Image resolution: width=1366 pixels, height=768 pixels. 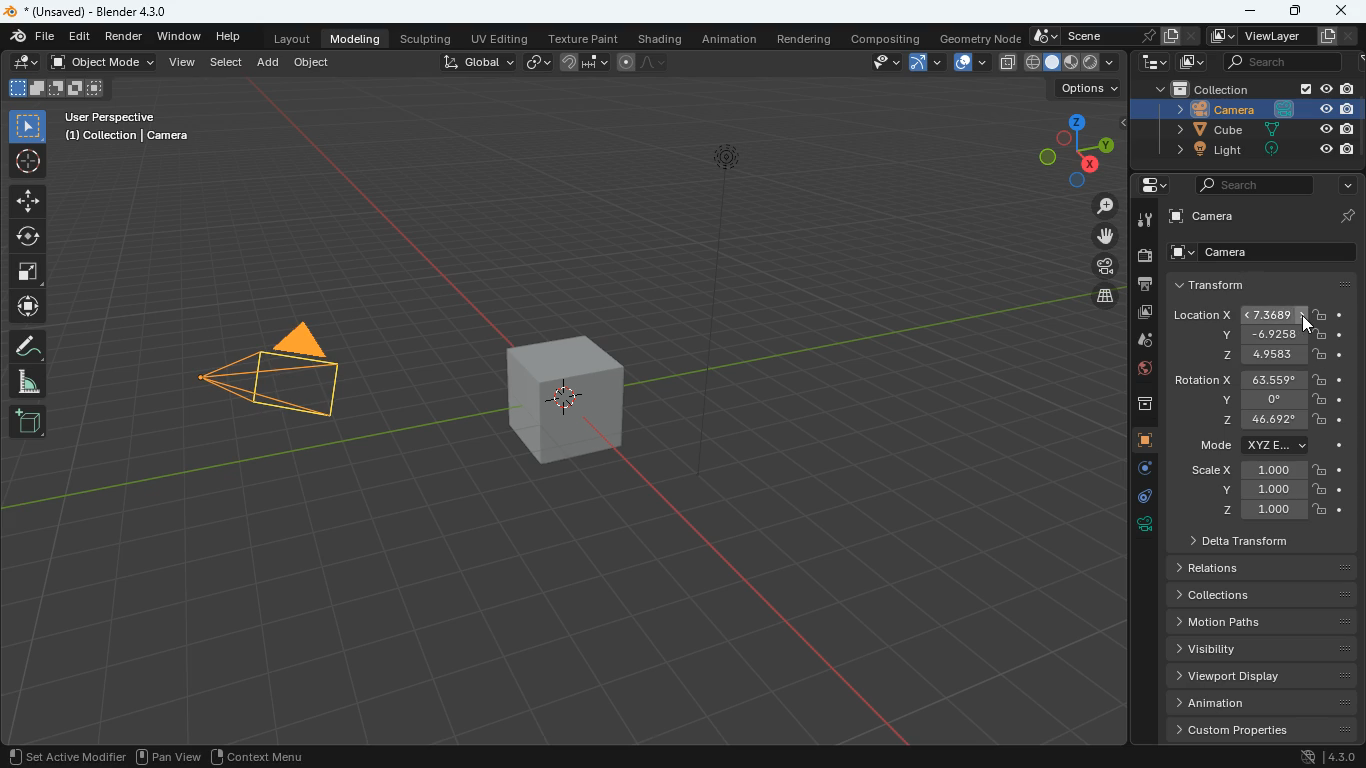 I want to click on camera, so click(x=1142, y=256).